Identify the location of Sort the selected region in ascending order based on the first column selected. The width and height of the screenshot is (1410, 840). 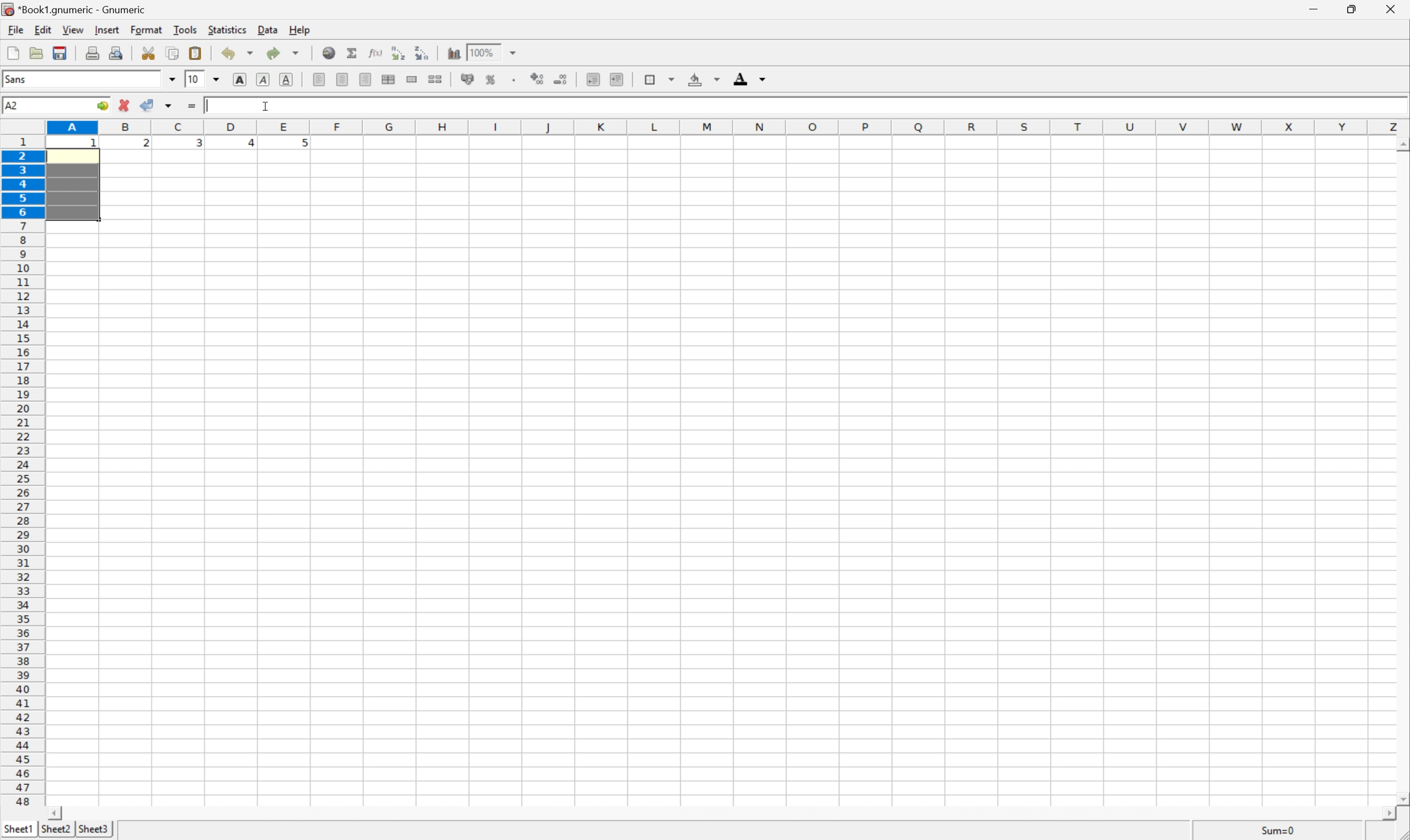
(399, 51).